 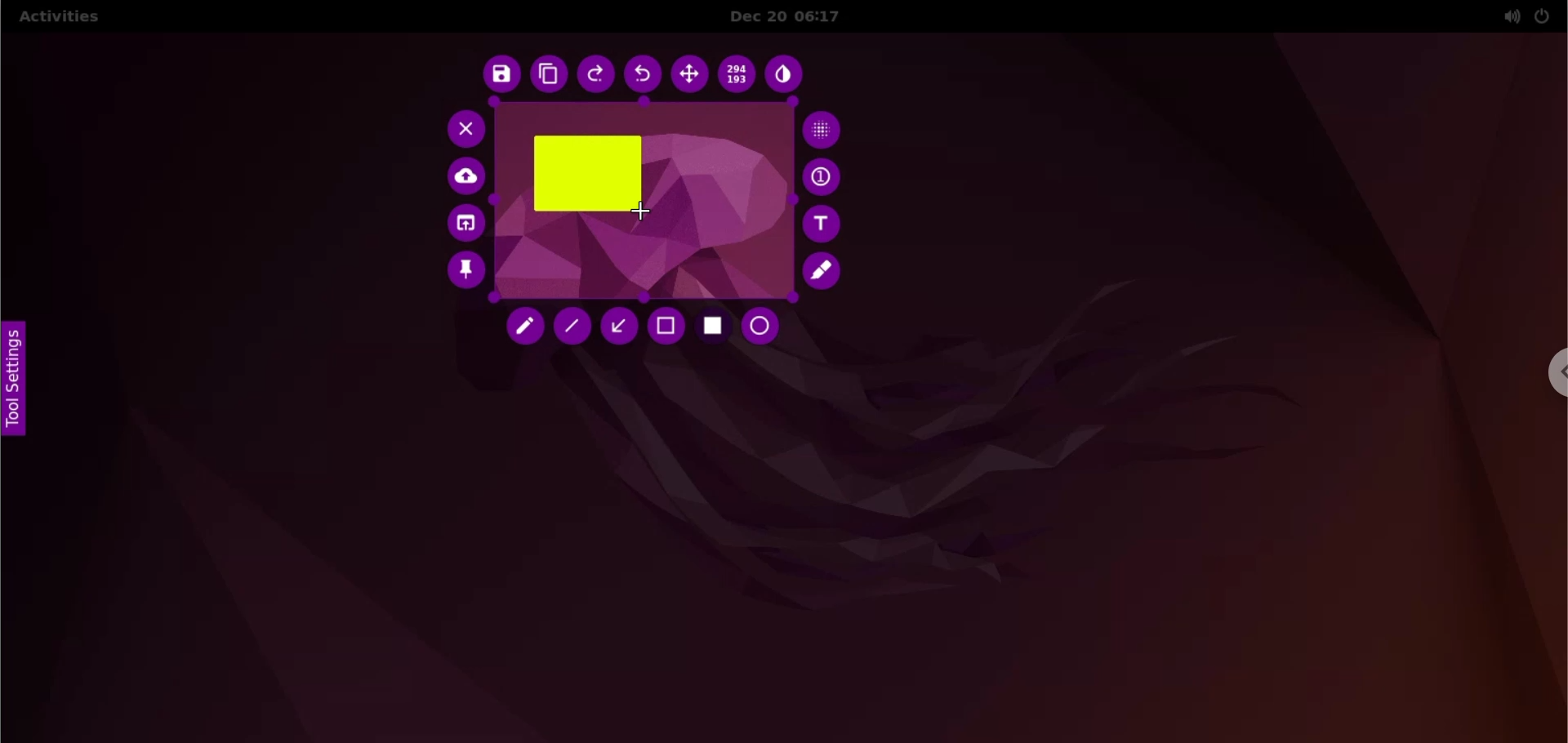 I want to click on cursor, so click(x=649, y=214).